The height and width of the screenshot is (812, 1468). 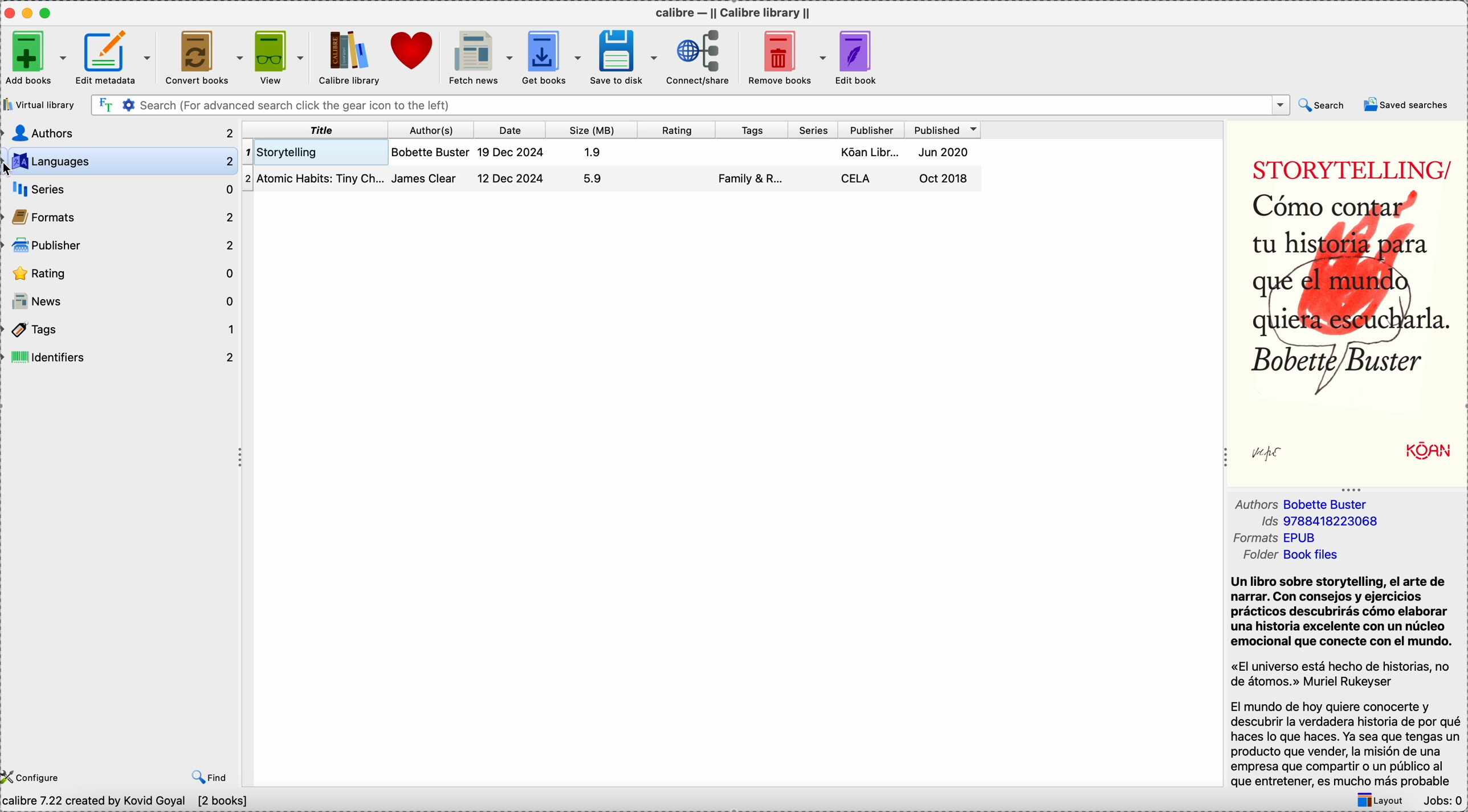 What do you see at coordinates (120, 216) in the screenshot?
I see `formats` at bounding box center [120, 216].